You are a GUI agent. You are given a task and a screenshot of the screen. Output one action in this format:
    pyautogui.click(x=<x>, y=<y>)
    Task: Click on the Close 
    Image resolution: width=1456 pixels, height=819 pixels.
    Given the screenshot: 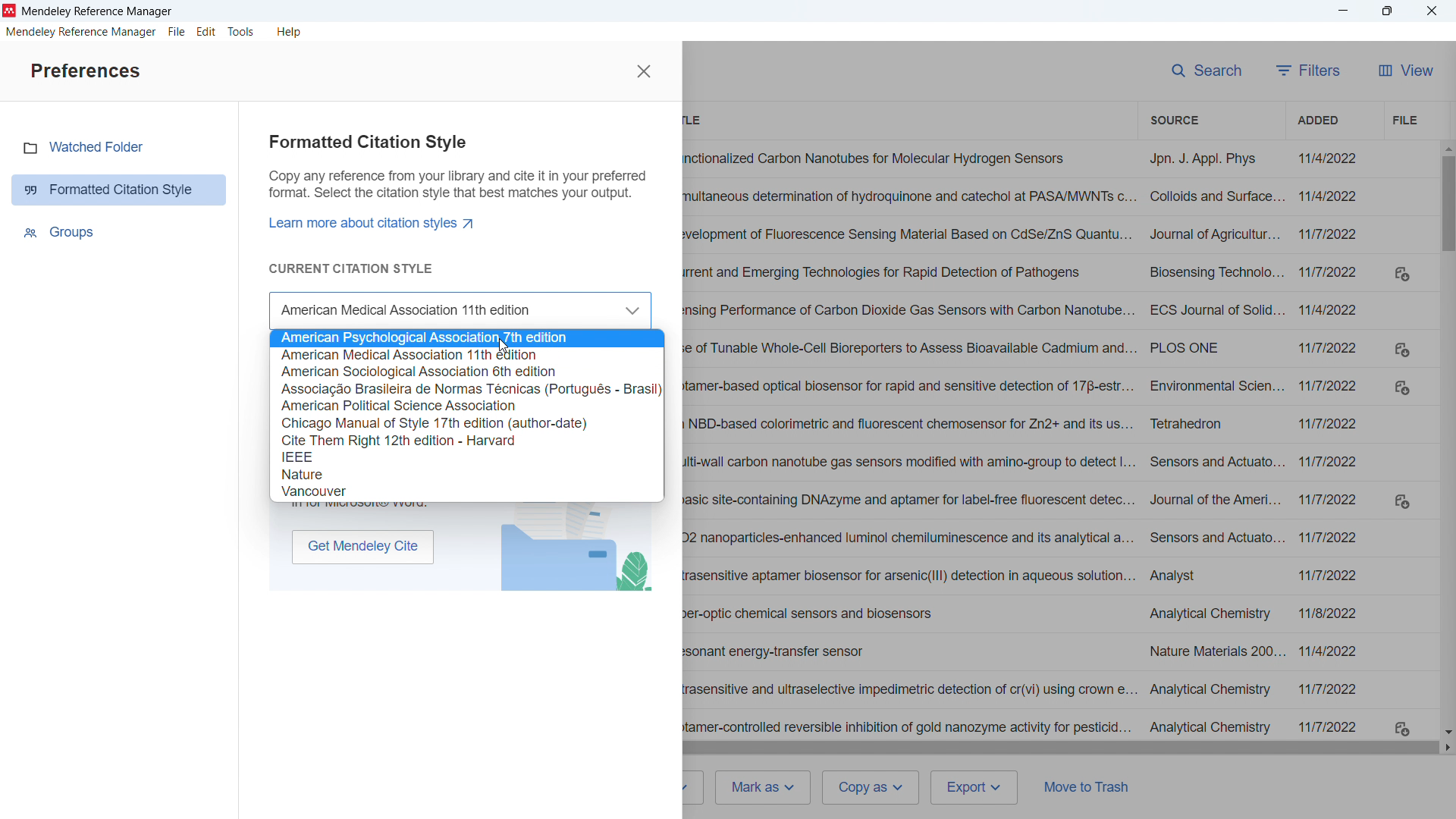 What is the action you would take?
    pyautogui.click(x=1430, y=10)
    